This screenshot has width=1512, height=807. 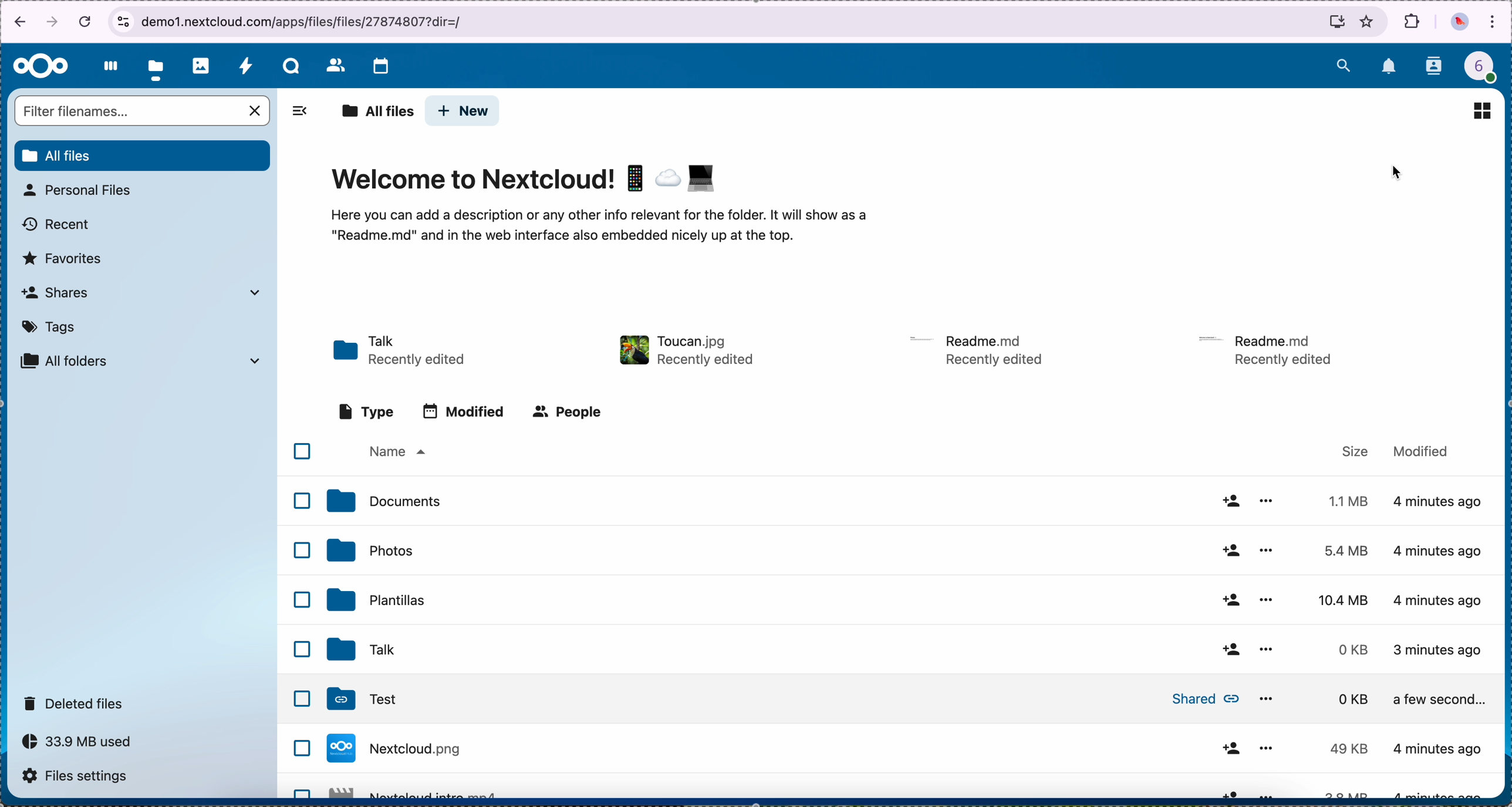 I want to click on more options, so click(x=1264, y=598).